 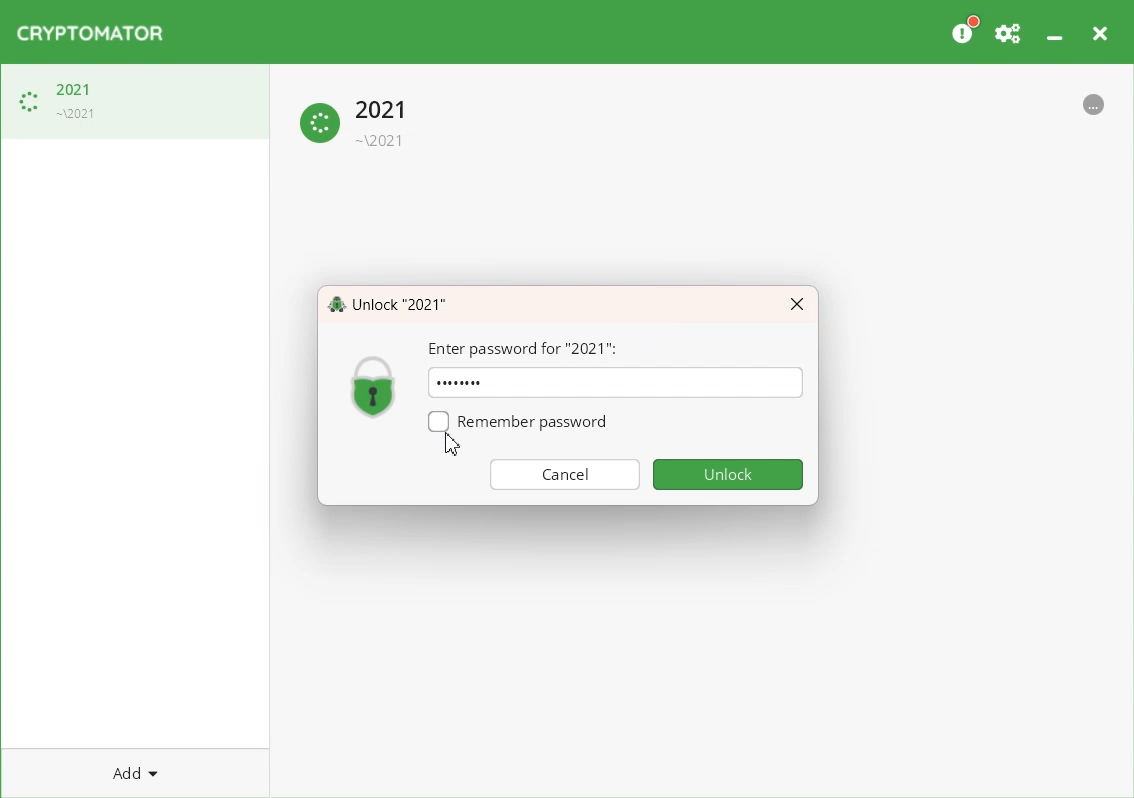 What do you see at coordinates (729, 474) in the screenshot?
I see `Unlock` at bounding box center [729, 474].